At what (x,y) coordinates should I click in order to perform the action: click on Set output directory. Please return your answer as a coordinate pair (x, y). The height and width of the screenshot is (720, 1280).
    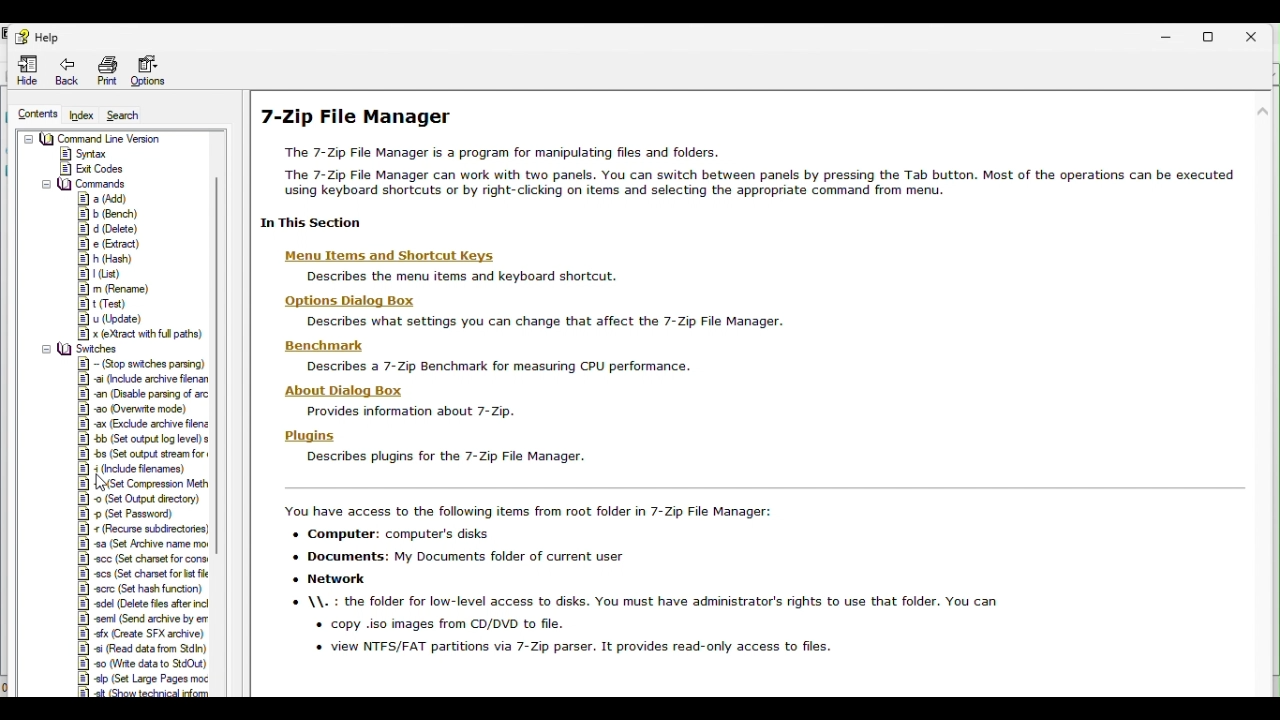
    Looking at the image, I should click on (140, 498).